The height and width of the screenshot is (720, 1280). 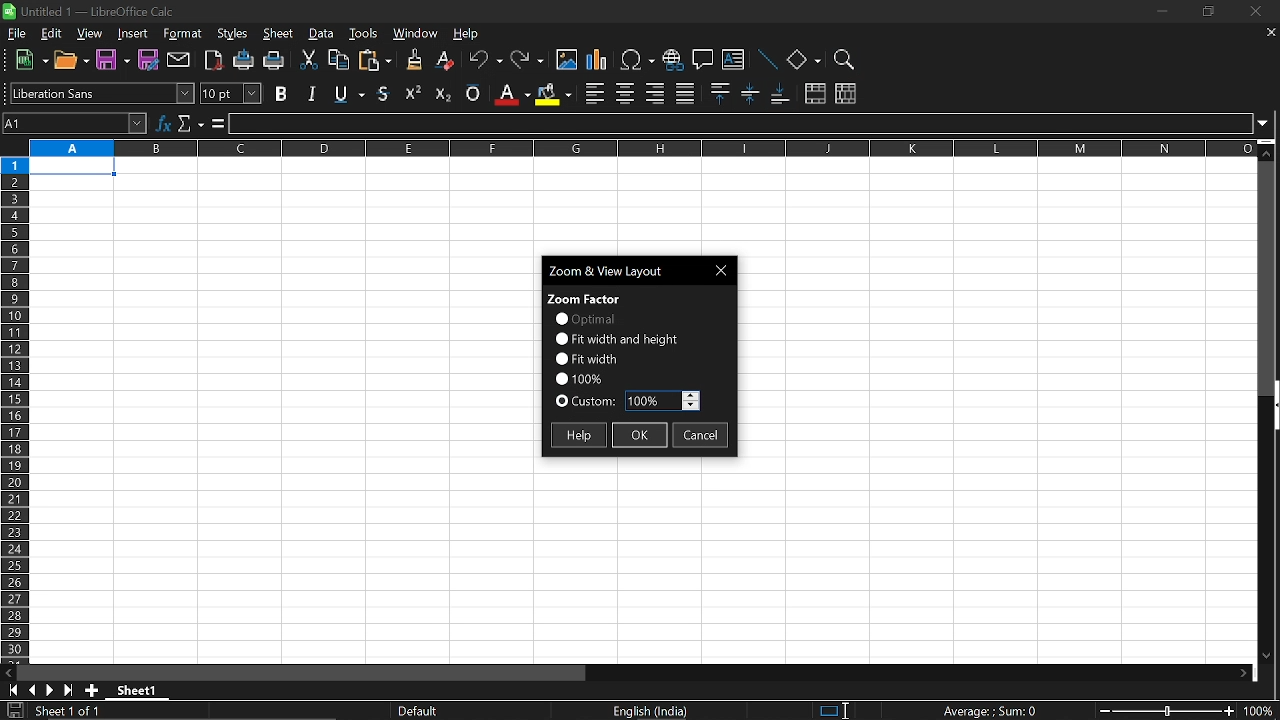 What do you see at coordinates (14, 711) in the screenshot?
I see `save` at bounding box center [14, 711].